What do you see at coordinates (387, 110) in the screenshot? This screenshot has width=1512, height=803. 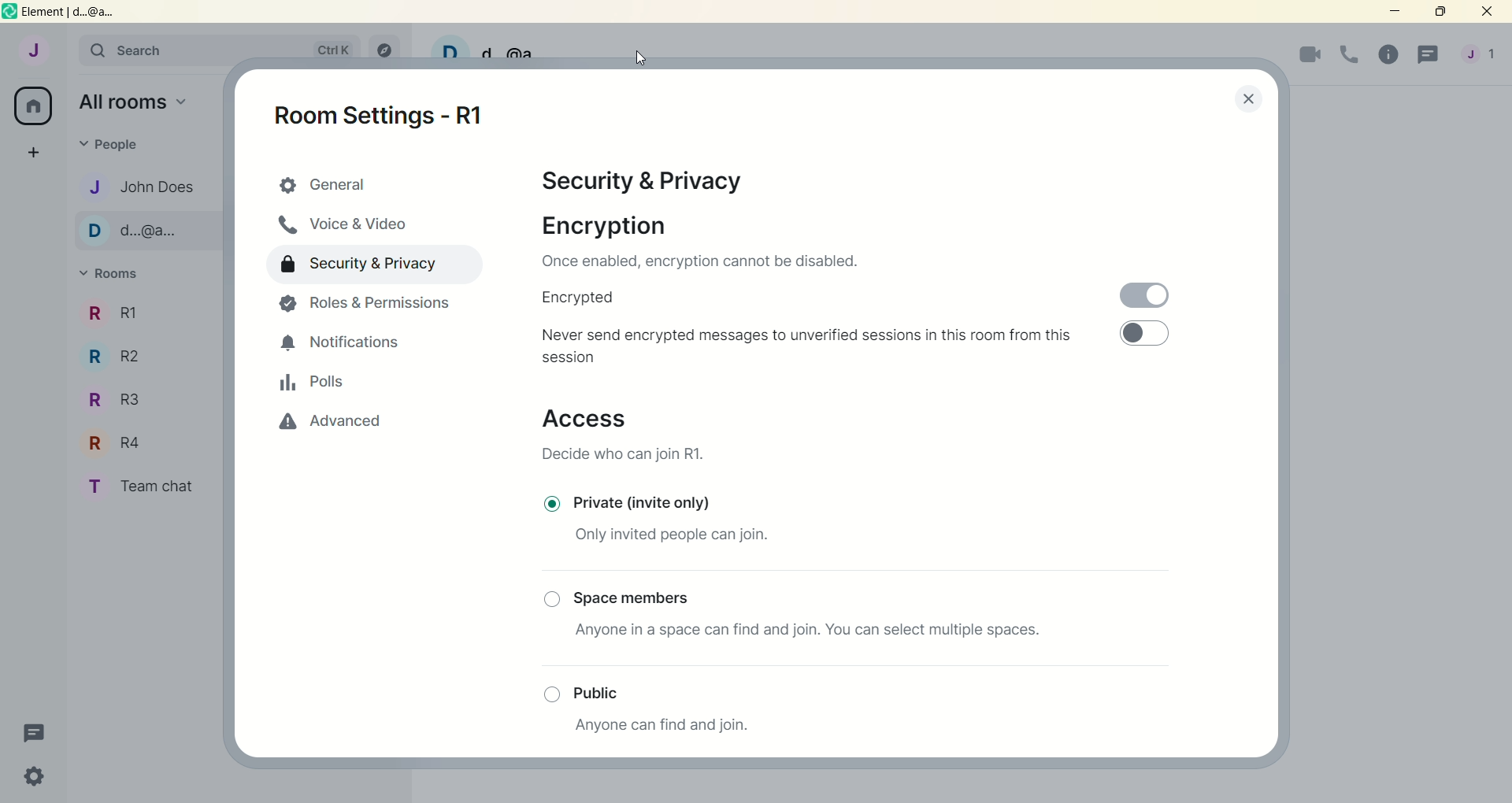 I see `Room Settings - R1` at bounding box center [387, 110].